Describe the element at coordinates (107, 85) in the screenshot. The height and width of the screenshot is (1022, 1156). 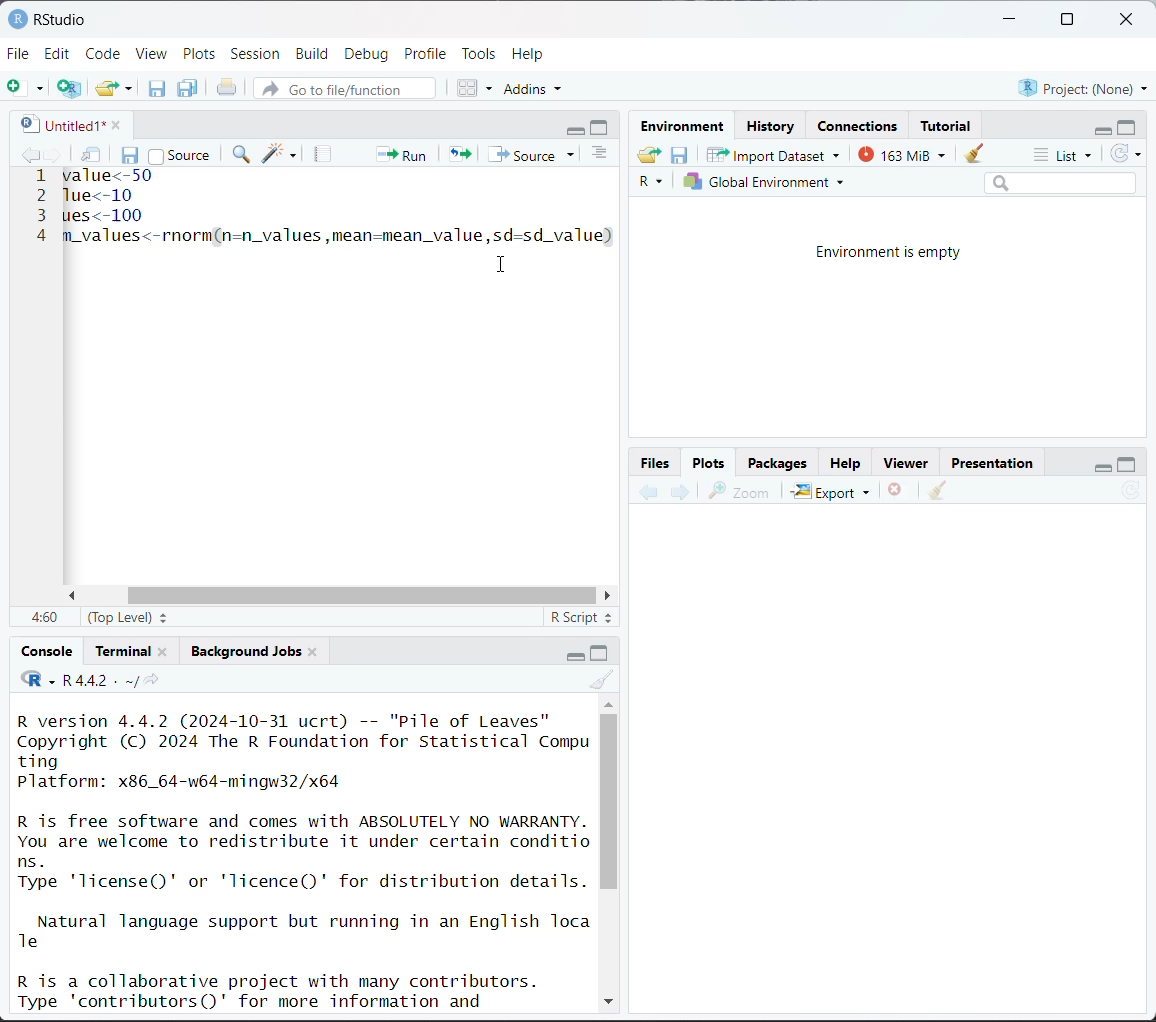
I see `open an existing file` at that location.